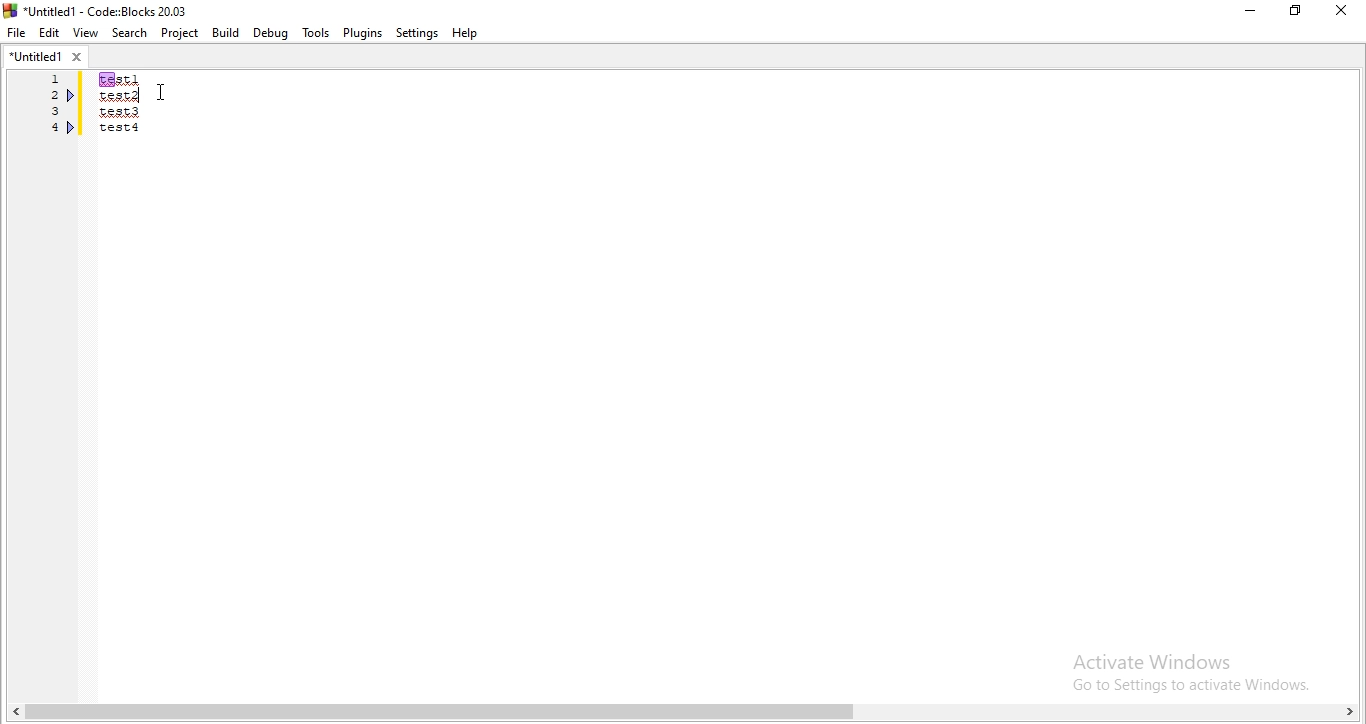  What do you see at coordinates (179, 33) in the screenshot?
I see `Project ` at bounding box center [179, 33].